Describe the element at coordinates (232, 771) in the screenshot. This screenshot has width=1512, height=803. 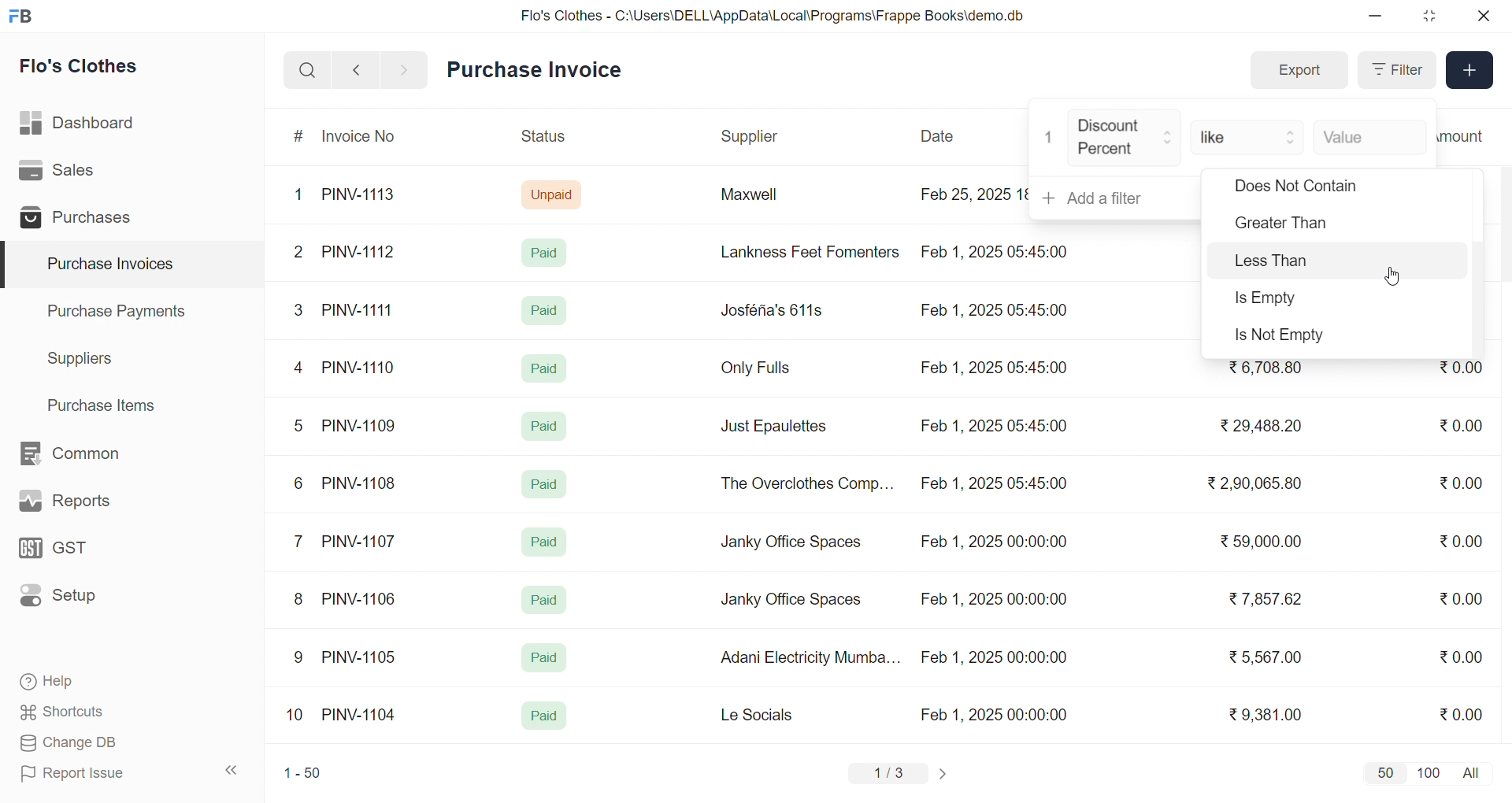
I see `collapse sidebar` at that location.